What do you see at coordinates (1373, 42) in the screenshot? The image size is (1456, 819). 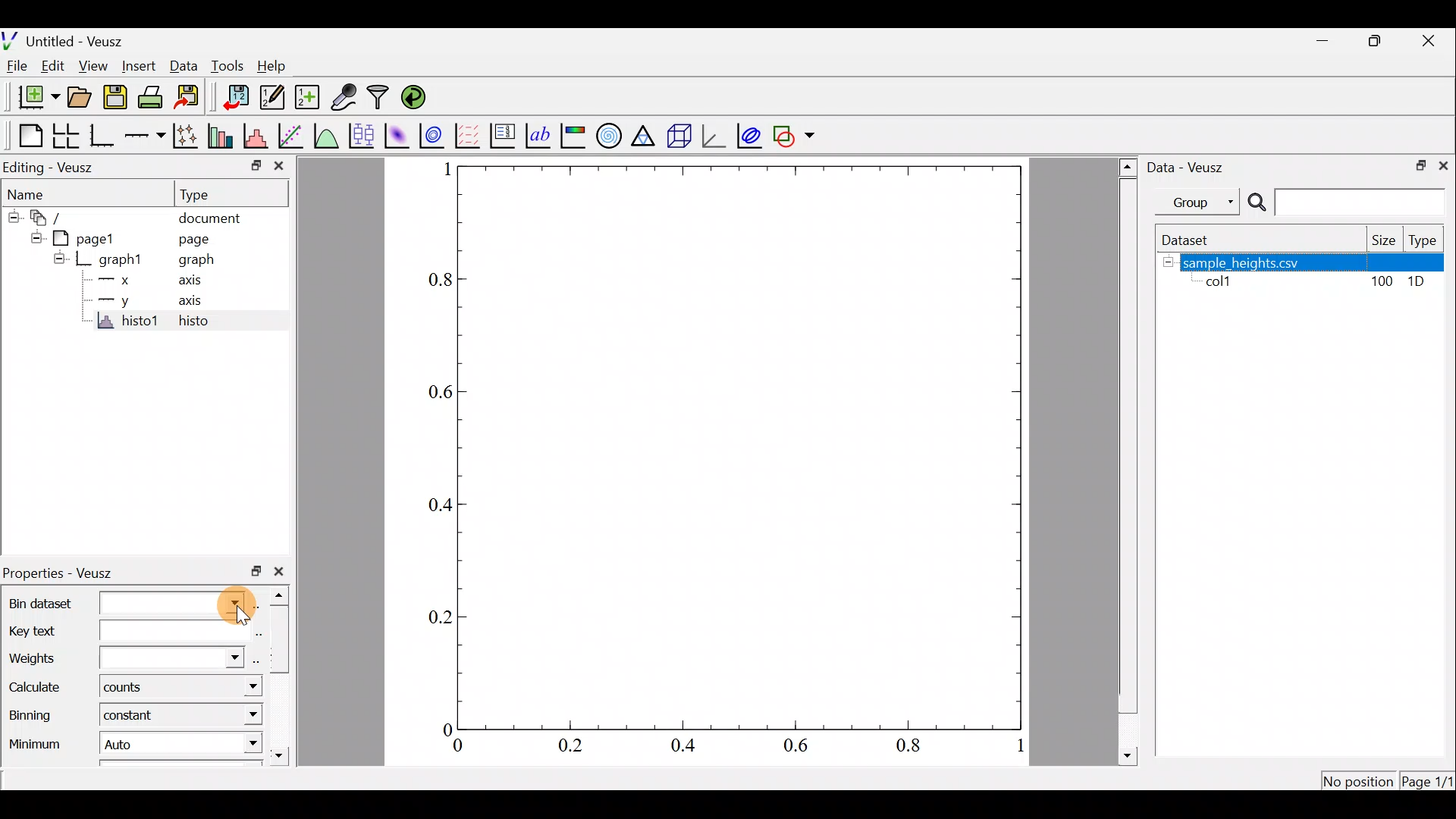 I see `restore down` at bounding box center [1373, 42].